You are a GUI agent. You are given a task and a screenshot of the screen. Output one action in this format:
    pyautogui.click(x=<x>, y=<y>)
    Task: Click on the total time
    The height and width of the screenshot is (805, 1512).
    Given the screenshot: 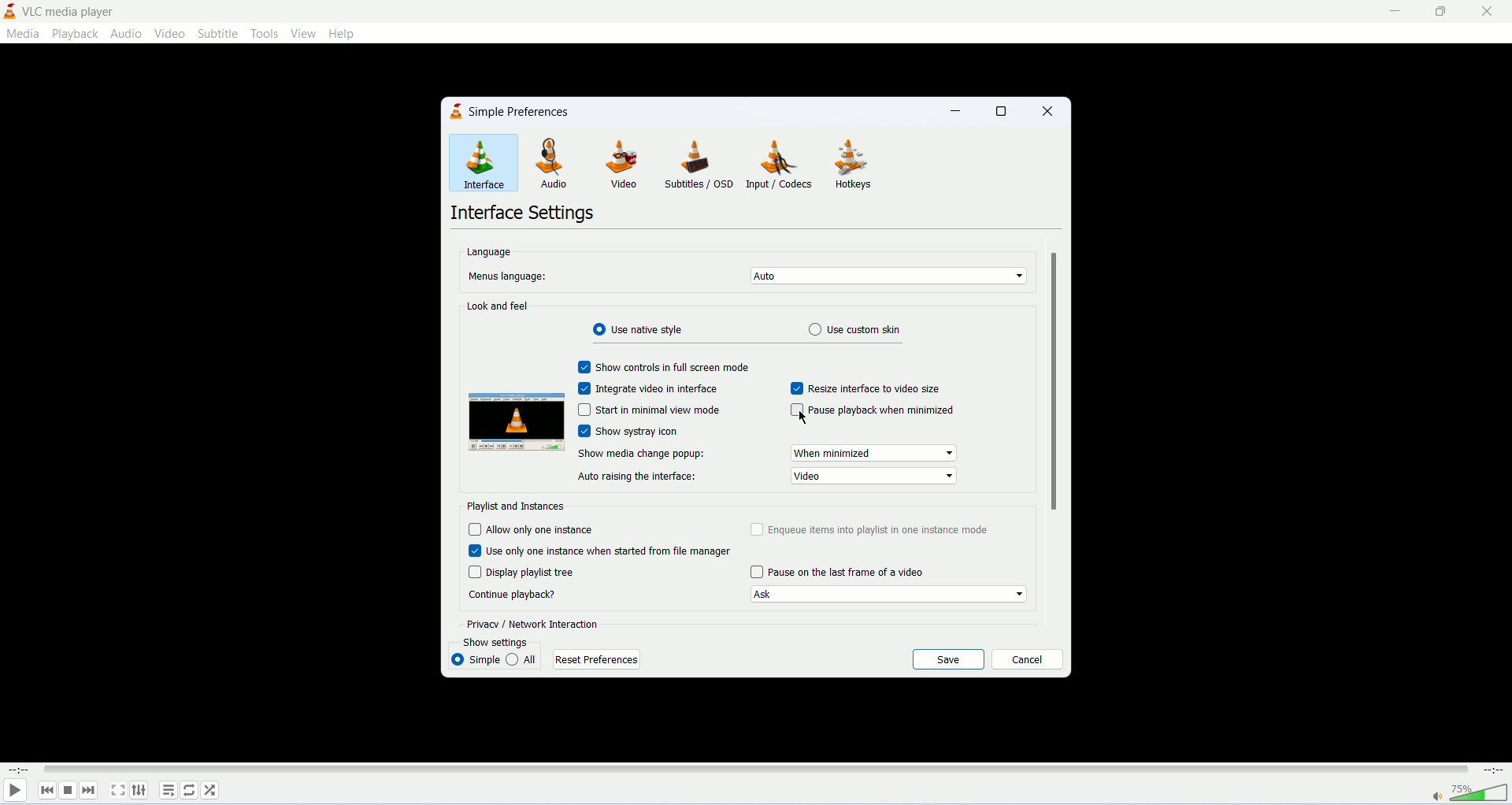 What is the action you would take?
    pyautogui.click(x=1497, y=770)
    